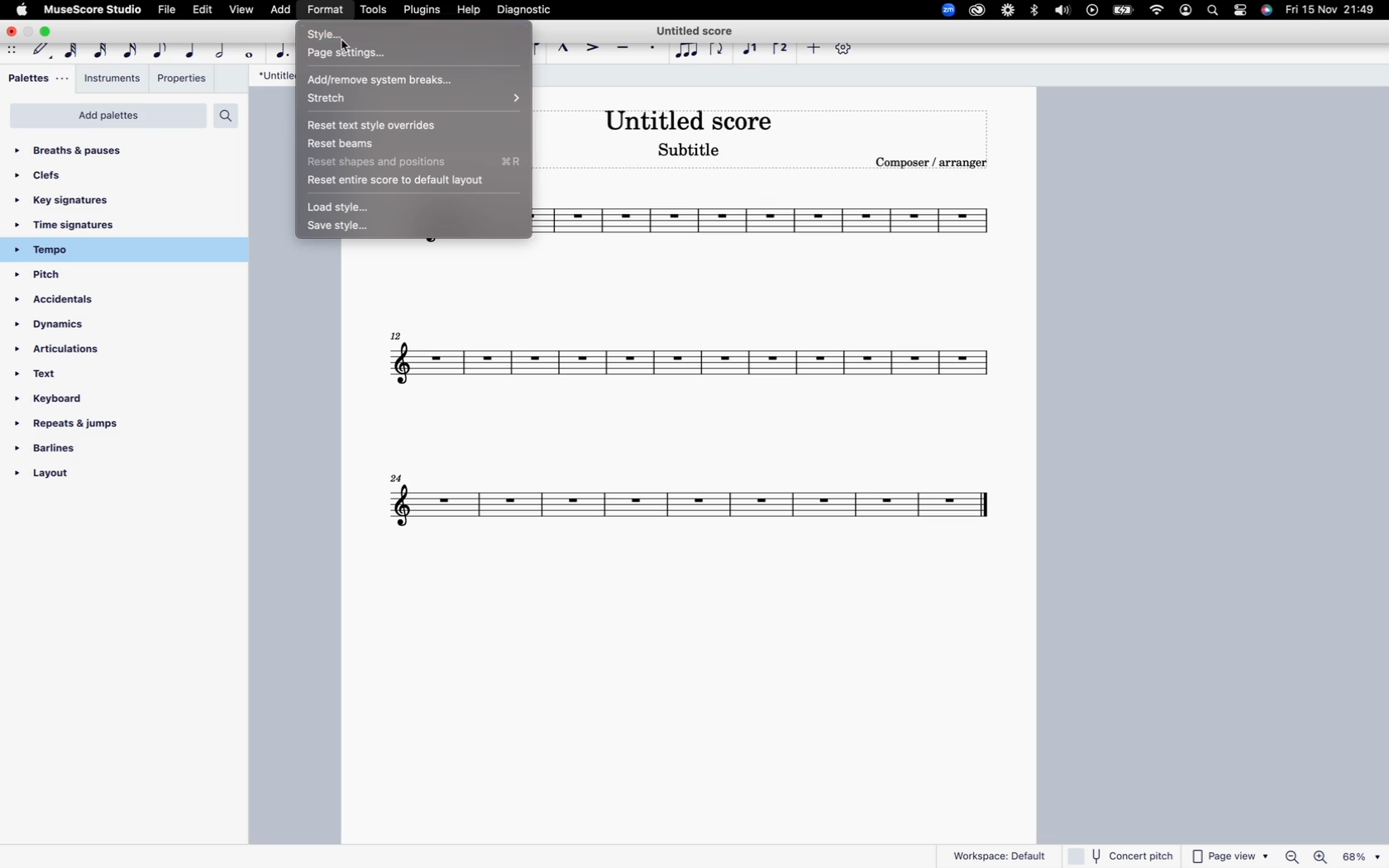 This screenshot has width=1389, height=868. Describe the element at coordinates (92, 9) in the screenshot. I see `musescore studio` at that location.